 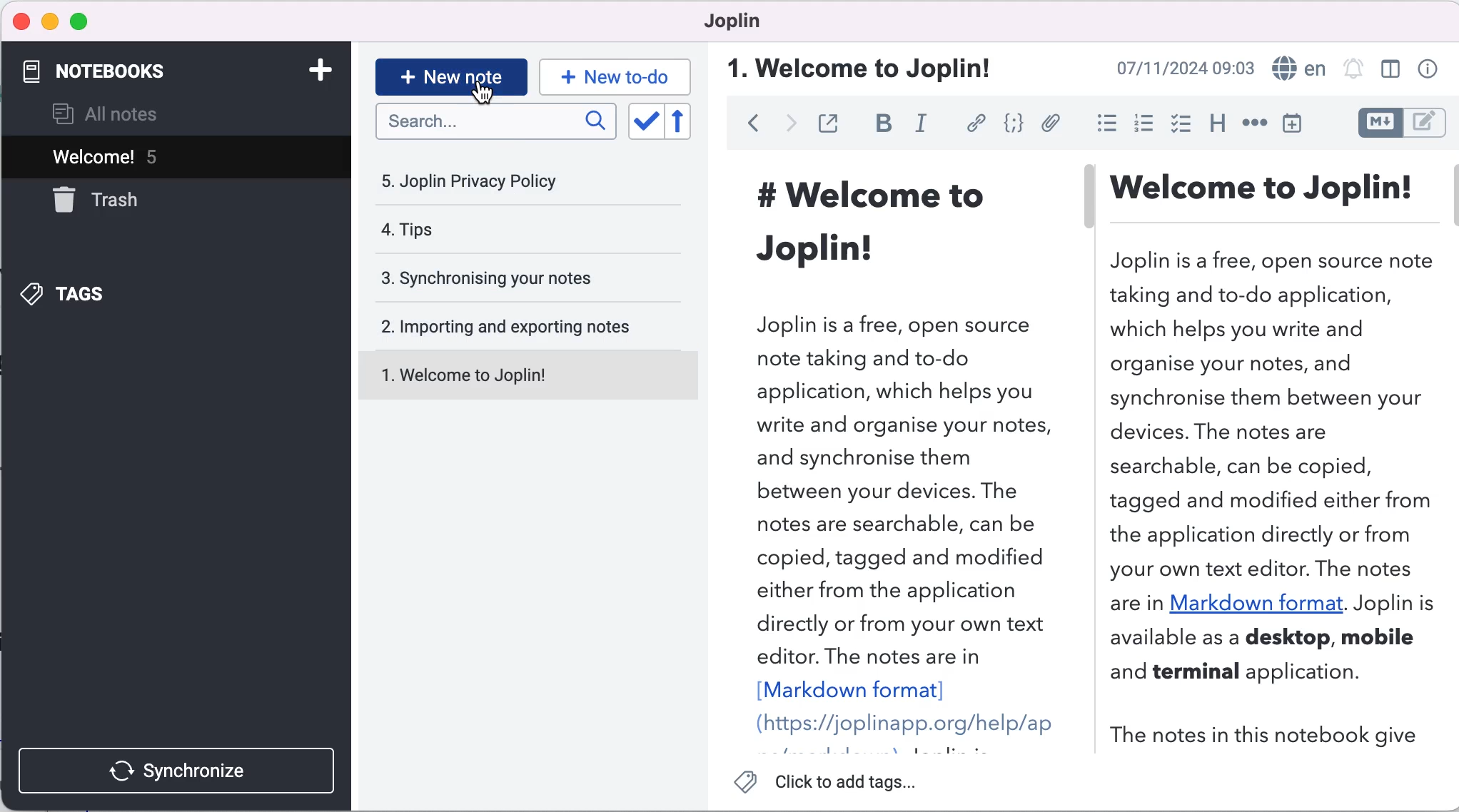 I want to click on back, so click(x=746, y=128).